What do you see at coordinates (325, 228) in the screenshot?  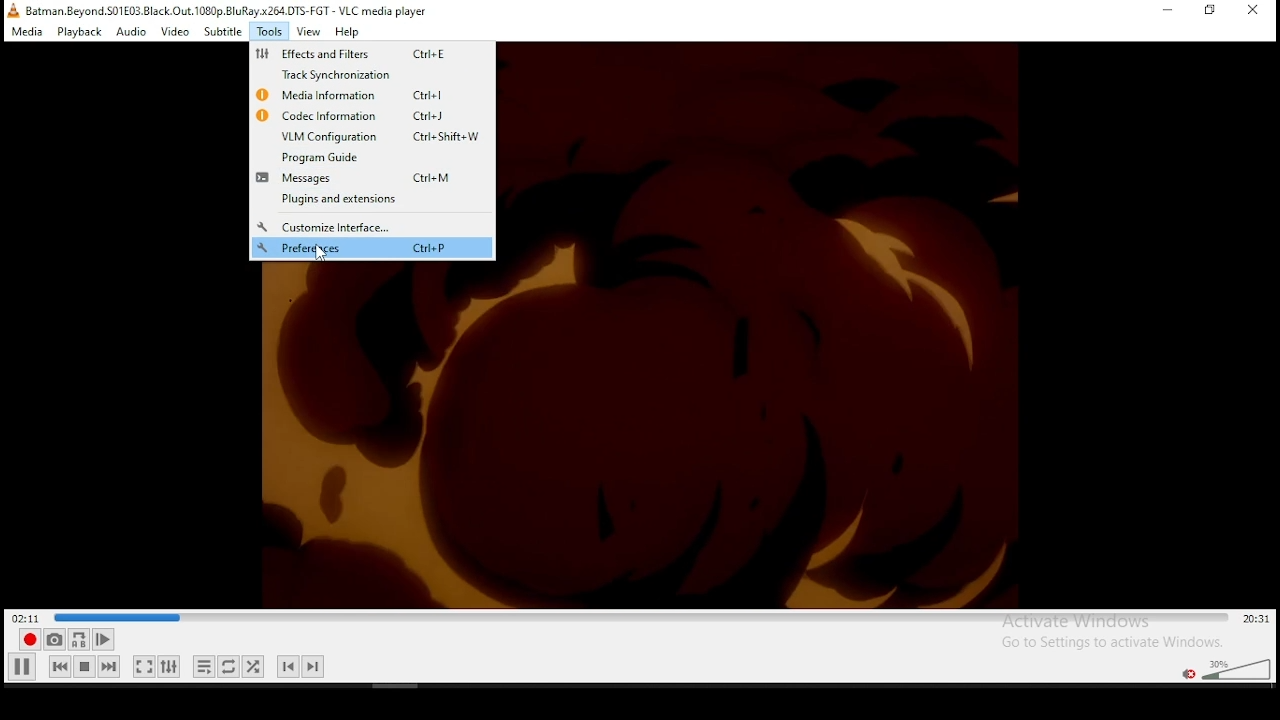 I see `customize interface` at bounding box center [325, 228].